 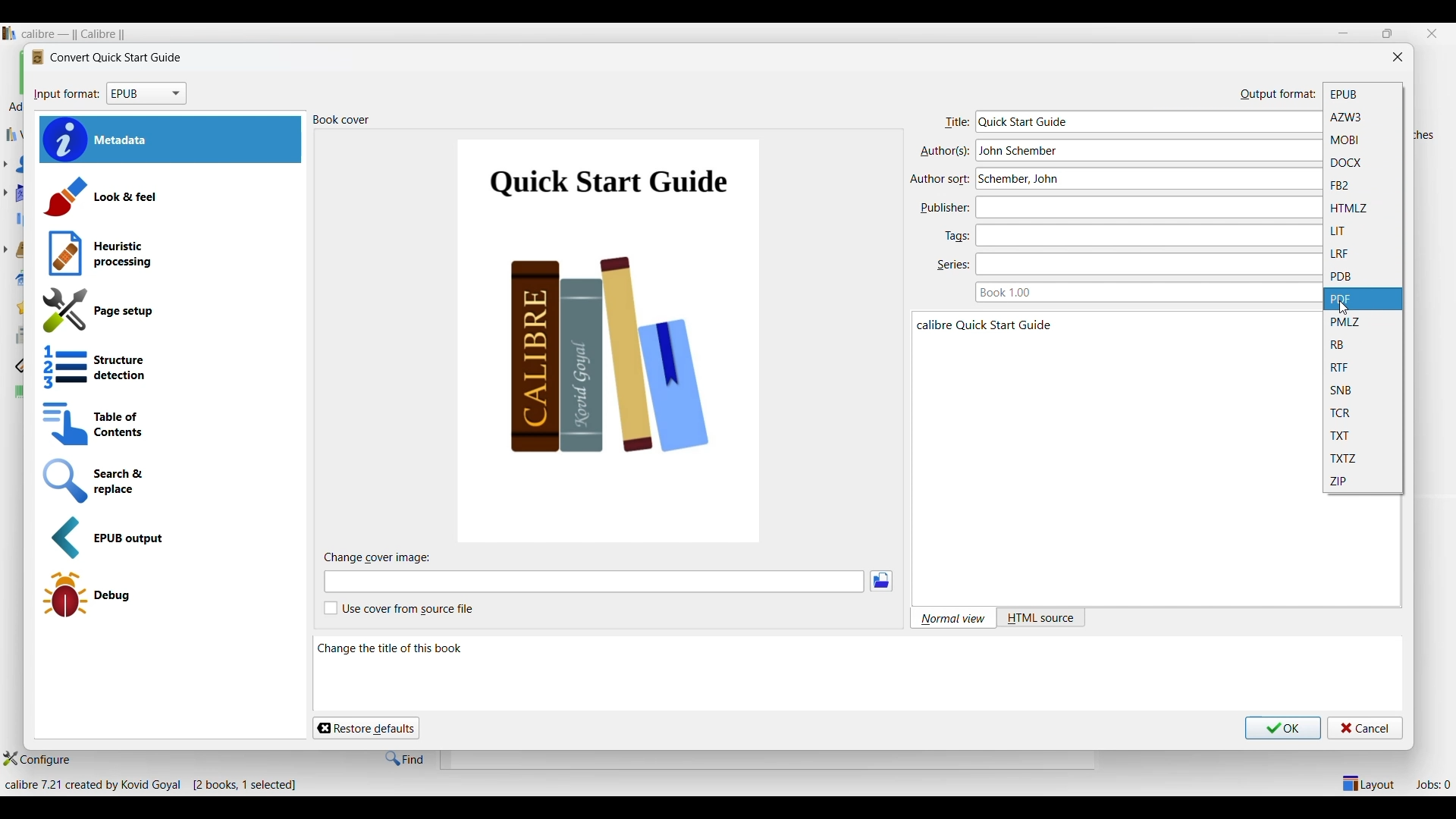 What do you see at coordinates (1363, 368) in the screenshot?
I see `RTF` at bounding box center [1363, 368].